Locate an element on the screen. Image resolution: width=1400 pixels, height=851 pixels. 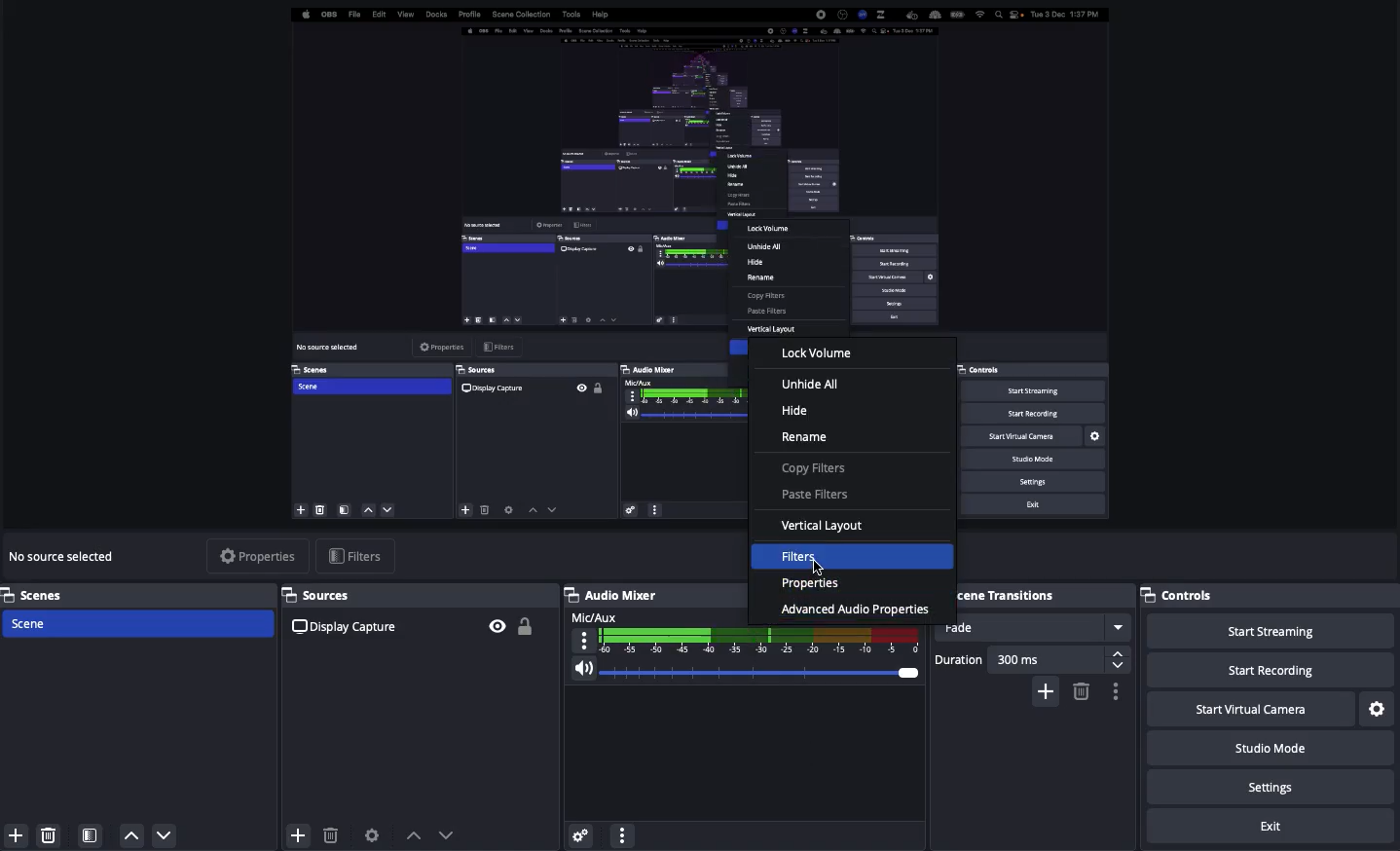
Settings is located at coordinates (579, 832).